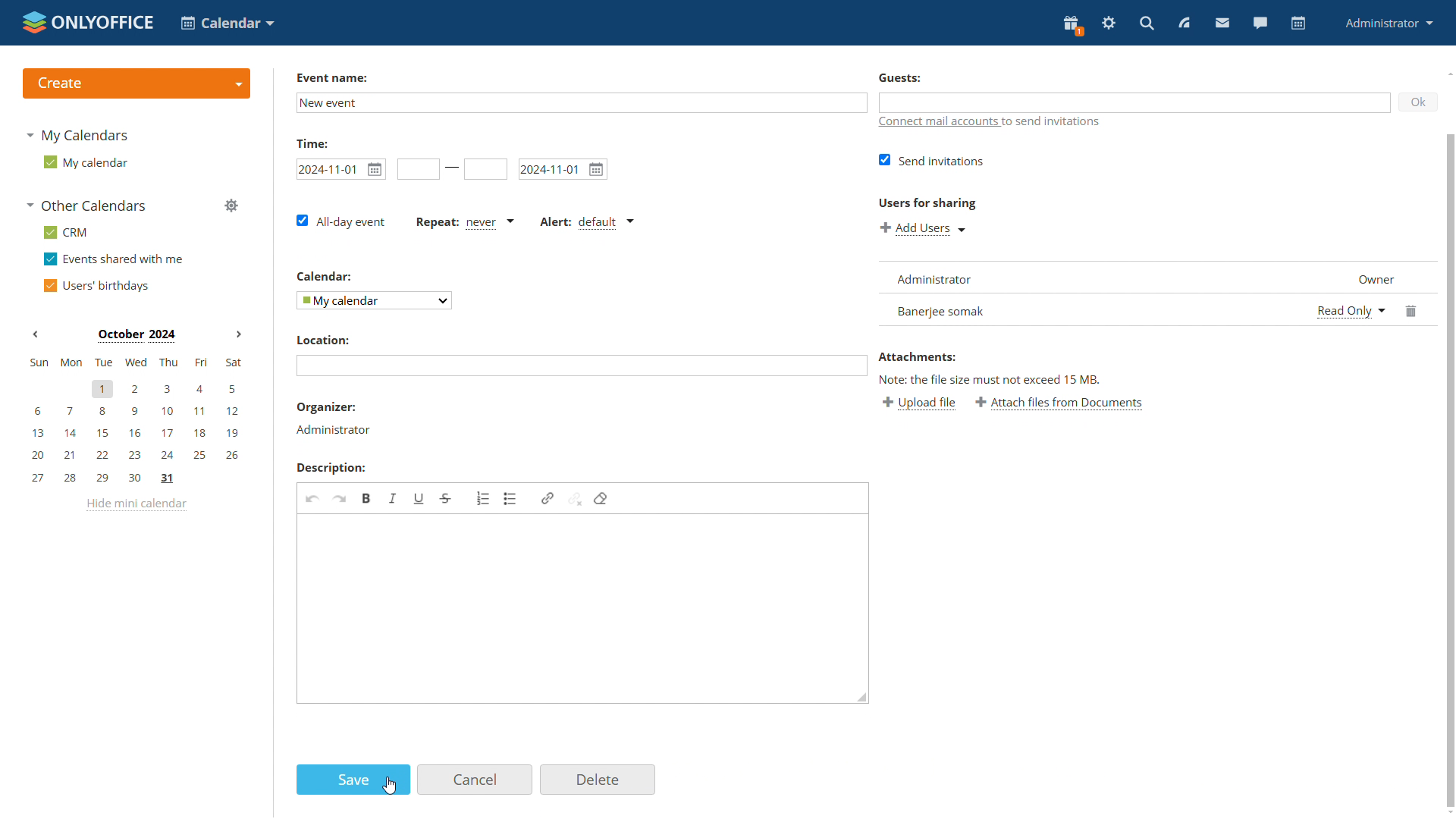 This screenshot has height=819, width=1456. Describe the element at coordinates (1060, 403) in the screenshot. I see `attach files from documents` at that location.